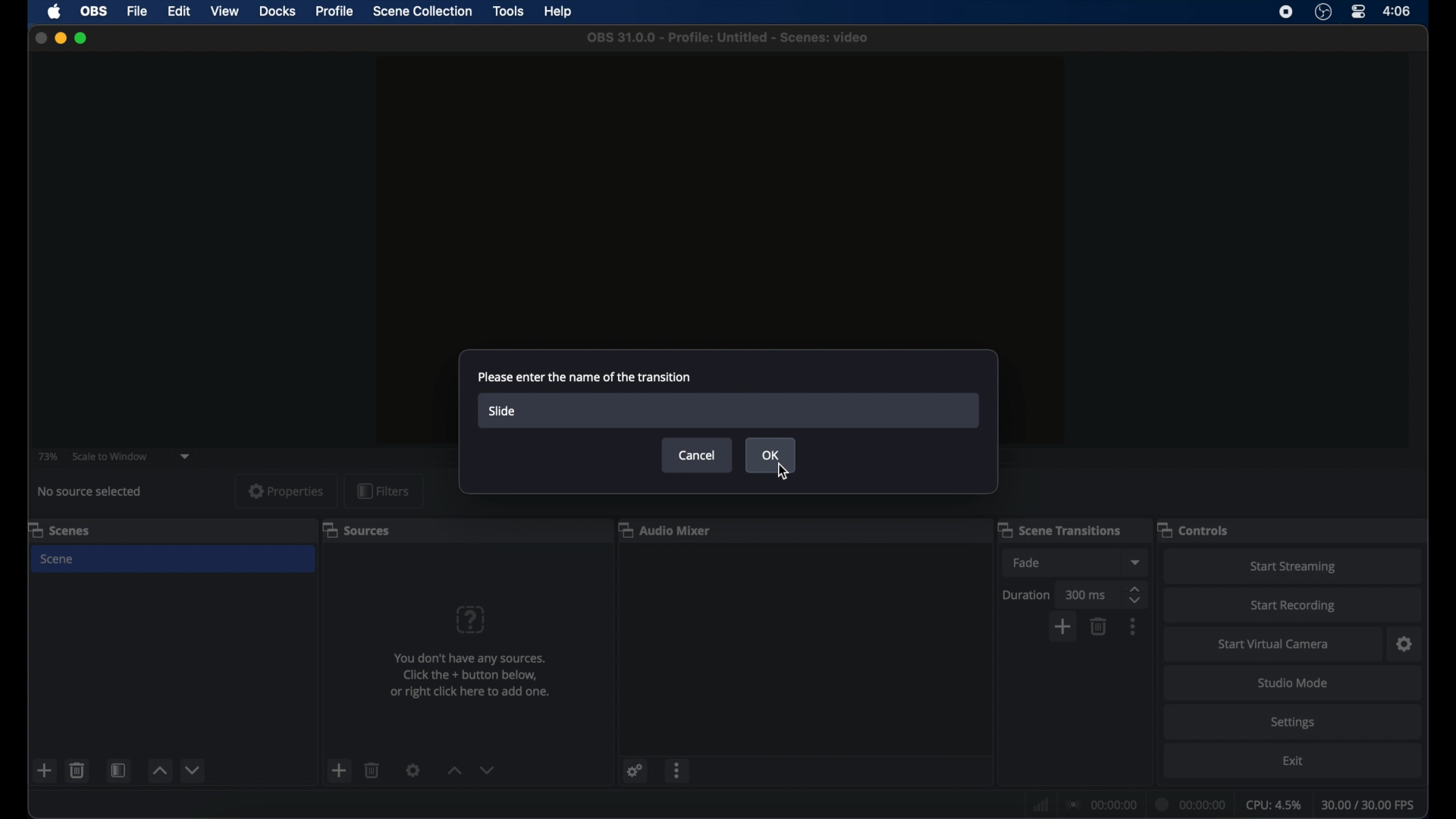  Describe the element at coordinates (1062, 628) in the screenshot. I see `add` at that location.